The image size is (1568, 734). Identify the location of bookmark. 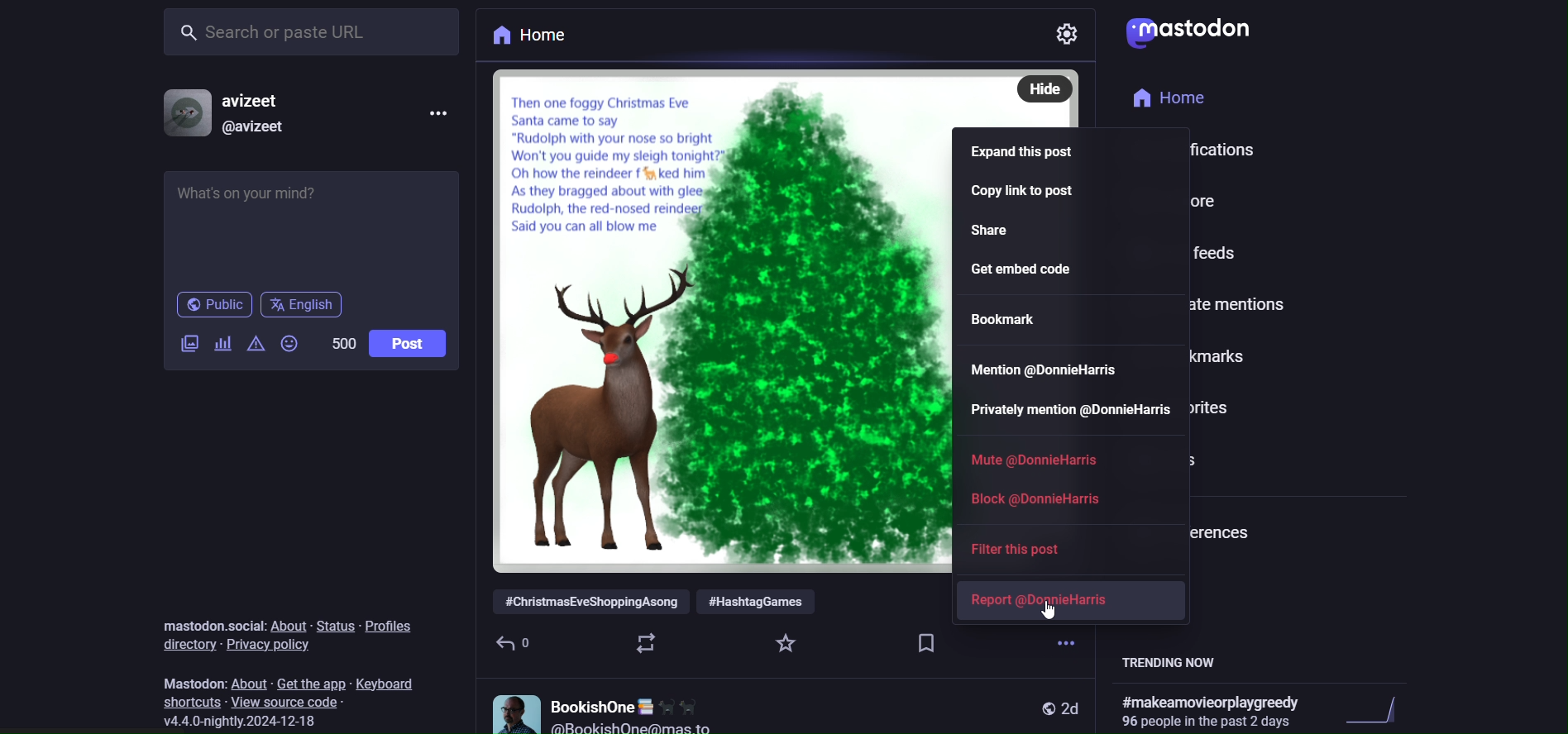
(924, 640).